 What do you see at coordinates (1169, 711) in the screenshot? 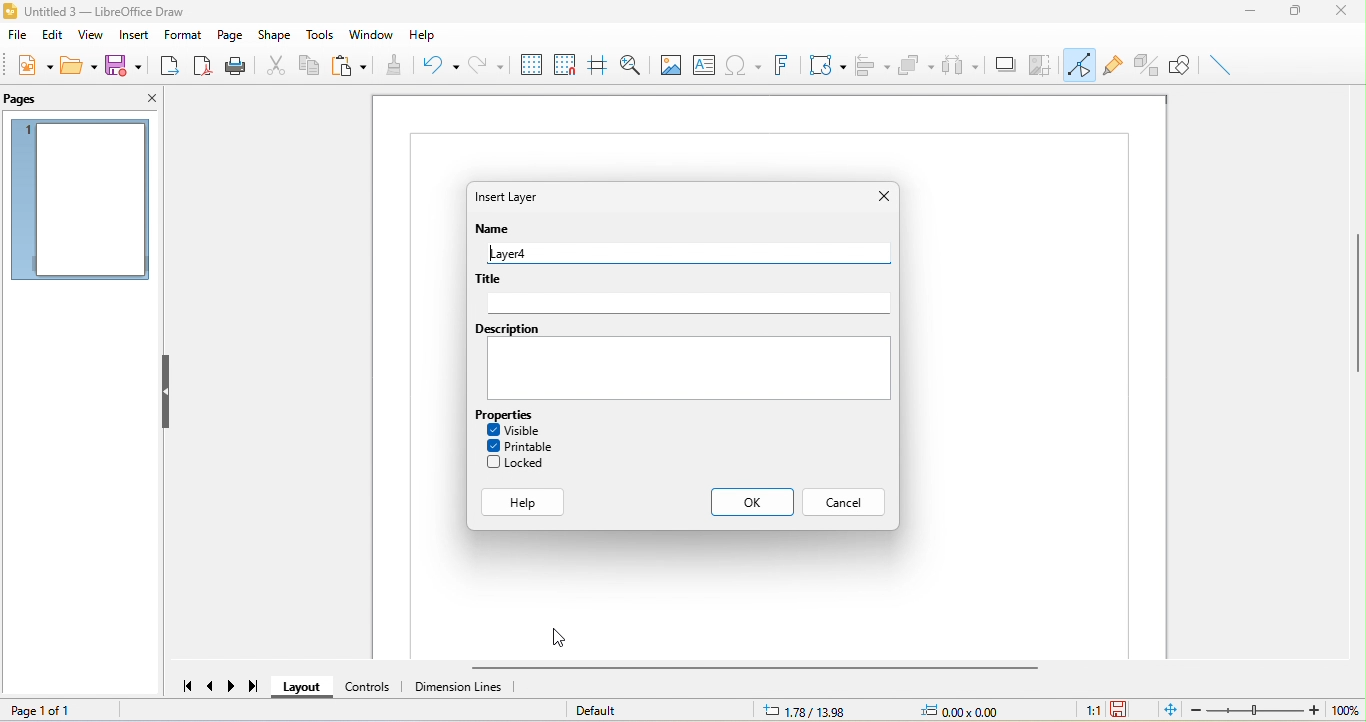
I see `fit page to current window` at bounding box center [1169, 711].